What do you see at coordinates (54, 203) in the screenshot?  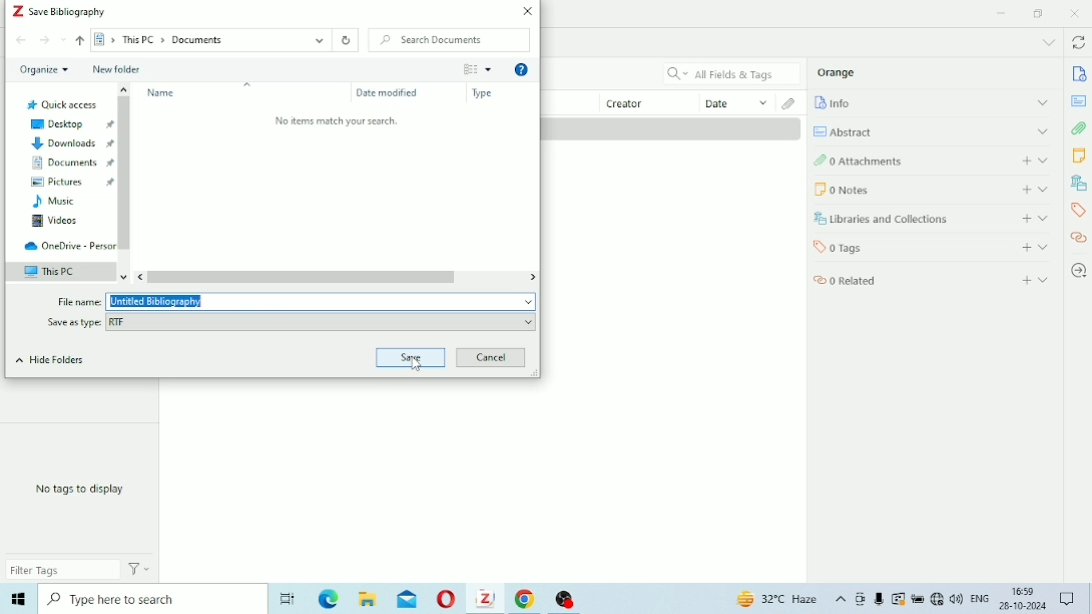 I see `Music` at bounding box center [54, 203].